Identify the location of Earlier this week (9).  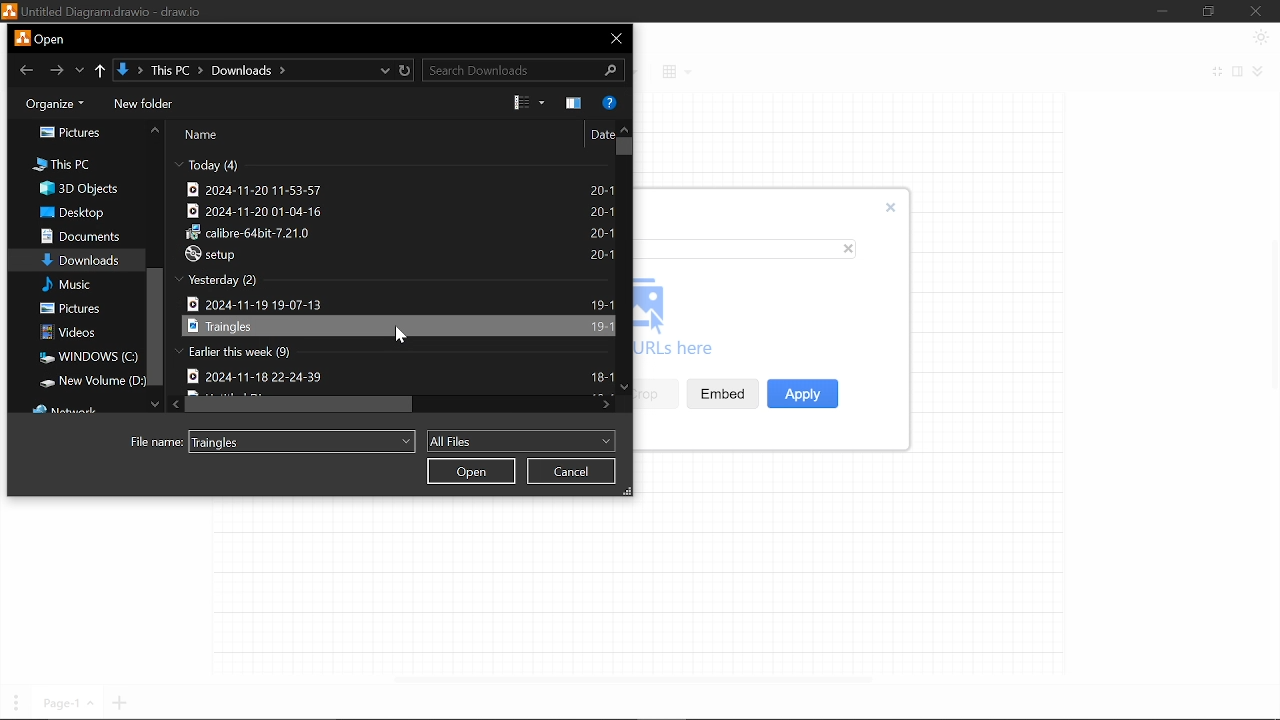
(251, 353).